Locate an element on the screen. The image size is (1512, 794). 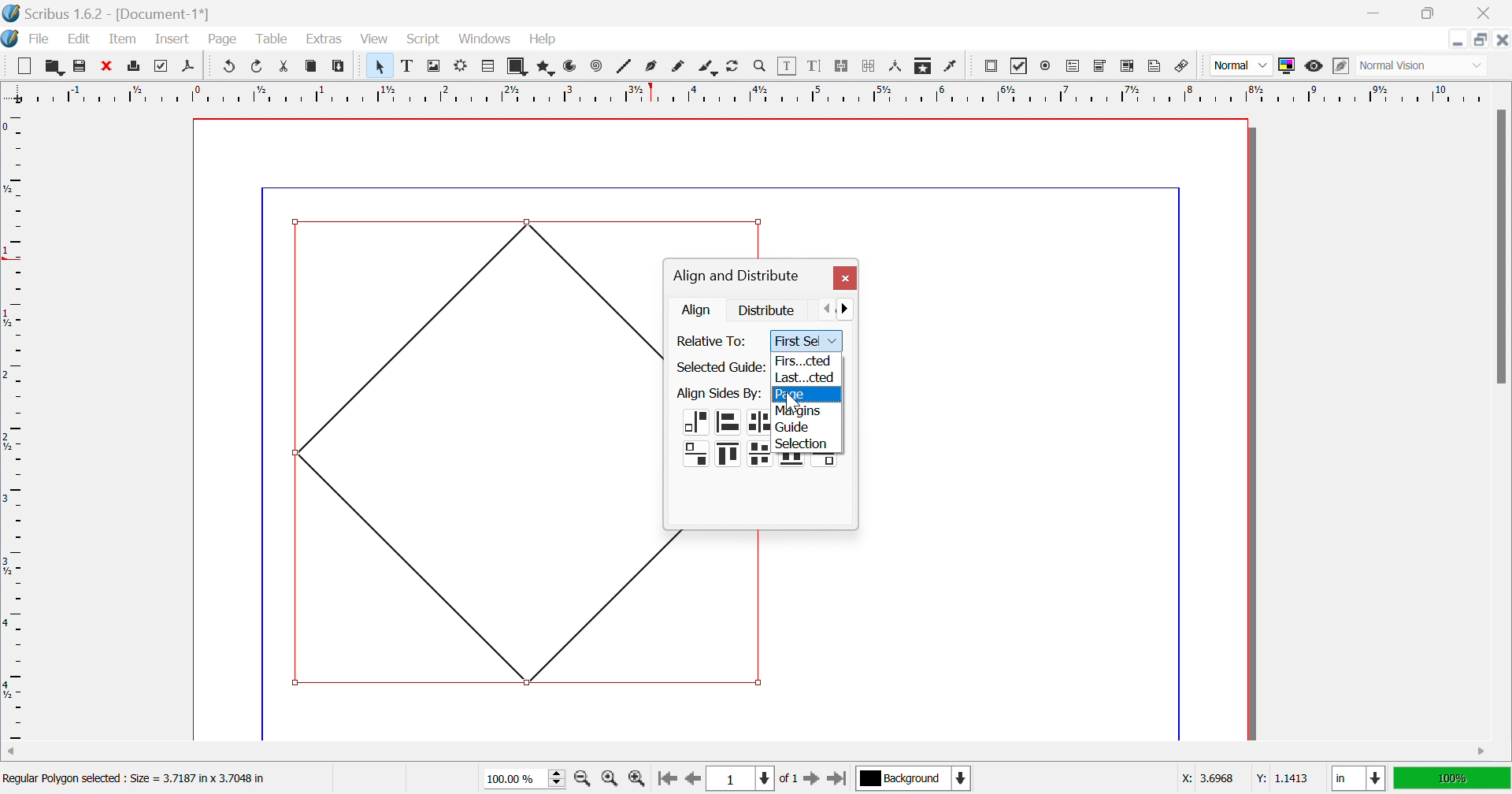
Preview mode is located at coordinates (1313, 66).